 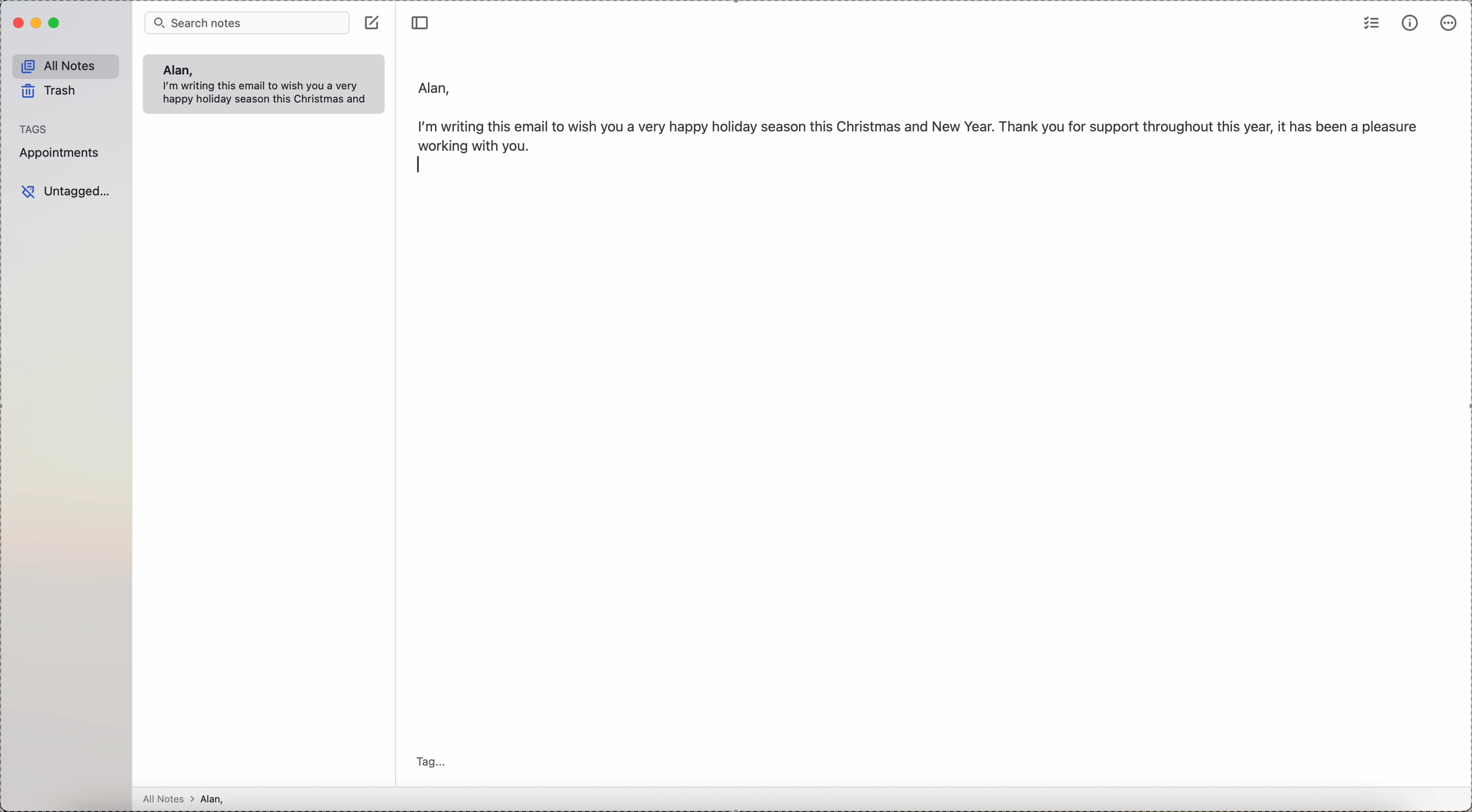 What do you see at coordinates (435, 85) in the screenshot?
I see `Alan,` at bounding box center [435, 85].